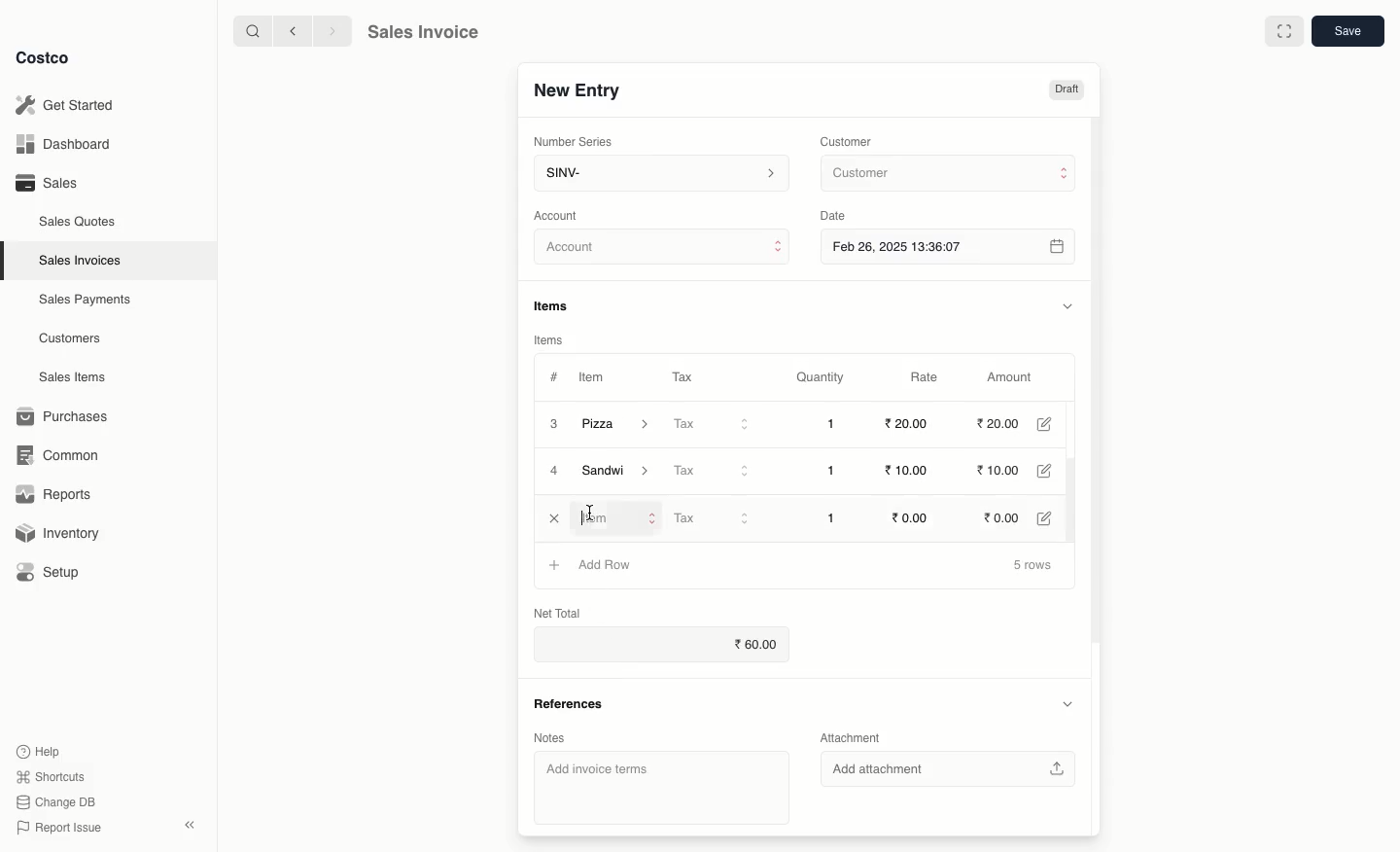 The image size is (1400, 852). Describe the element at coordinates (55, 828) in the screenshot. I see `Report Issue` at that location.